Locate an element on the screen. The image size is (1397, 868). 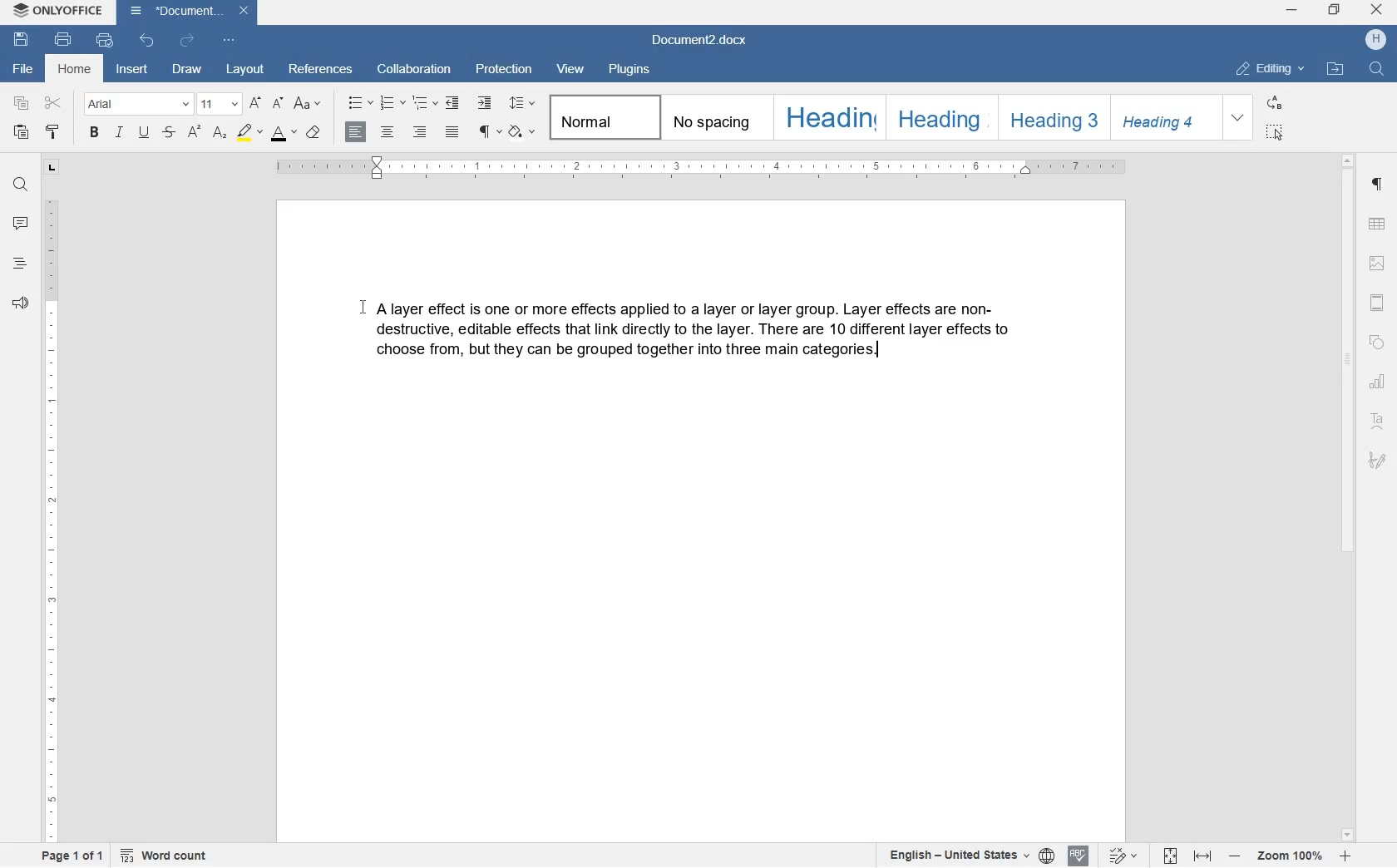
insert is located at coordinates (133, 69).